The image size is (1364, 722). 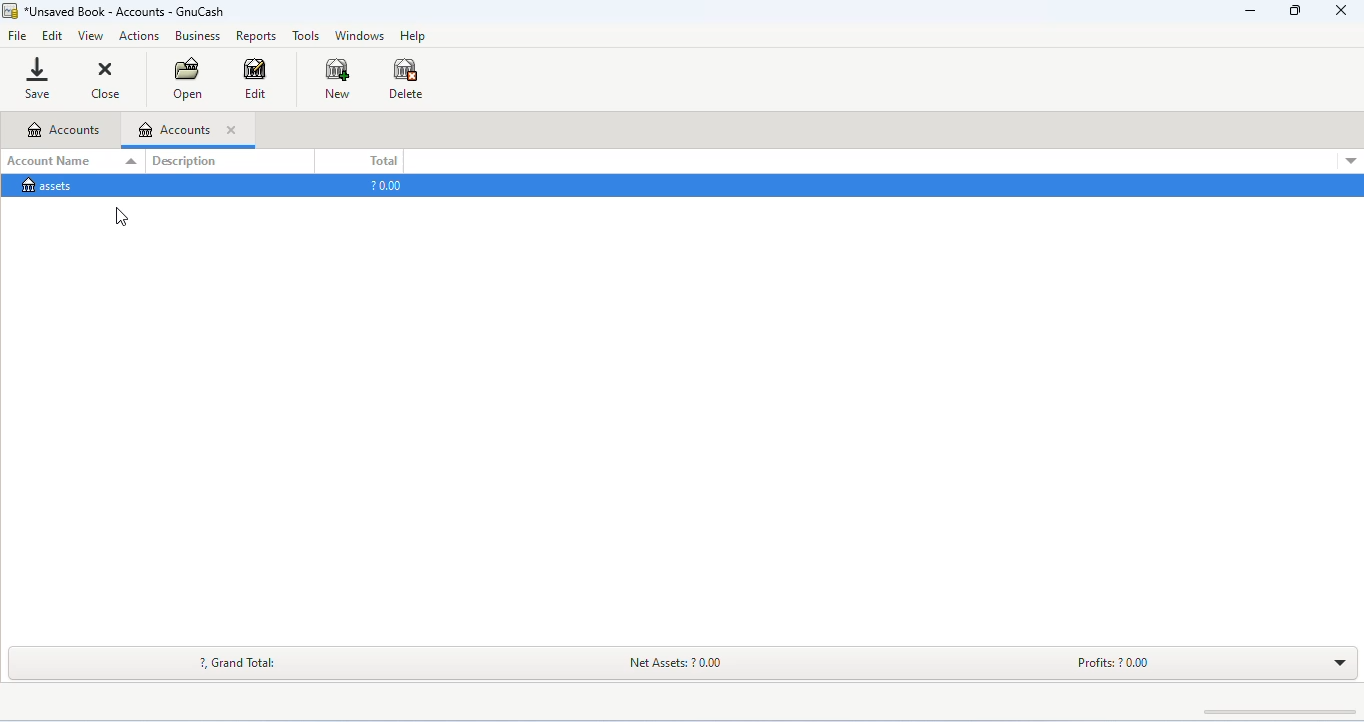 I want to click on description, so click(x=186, y=159).